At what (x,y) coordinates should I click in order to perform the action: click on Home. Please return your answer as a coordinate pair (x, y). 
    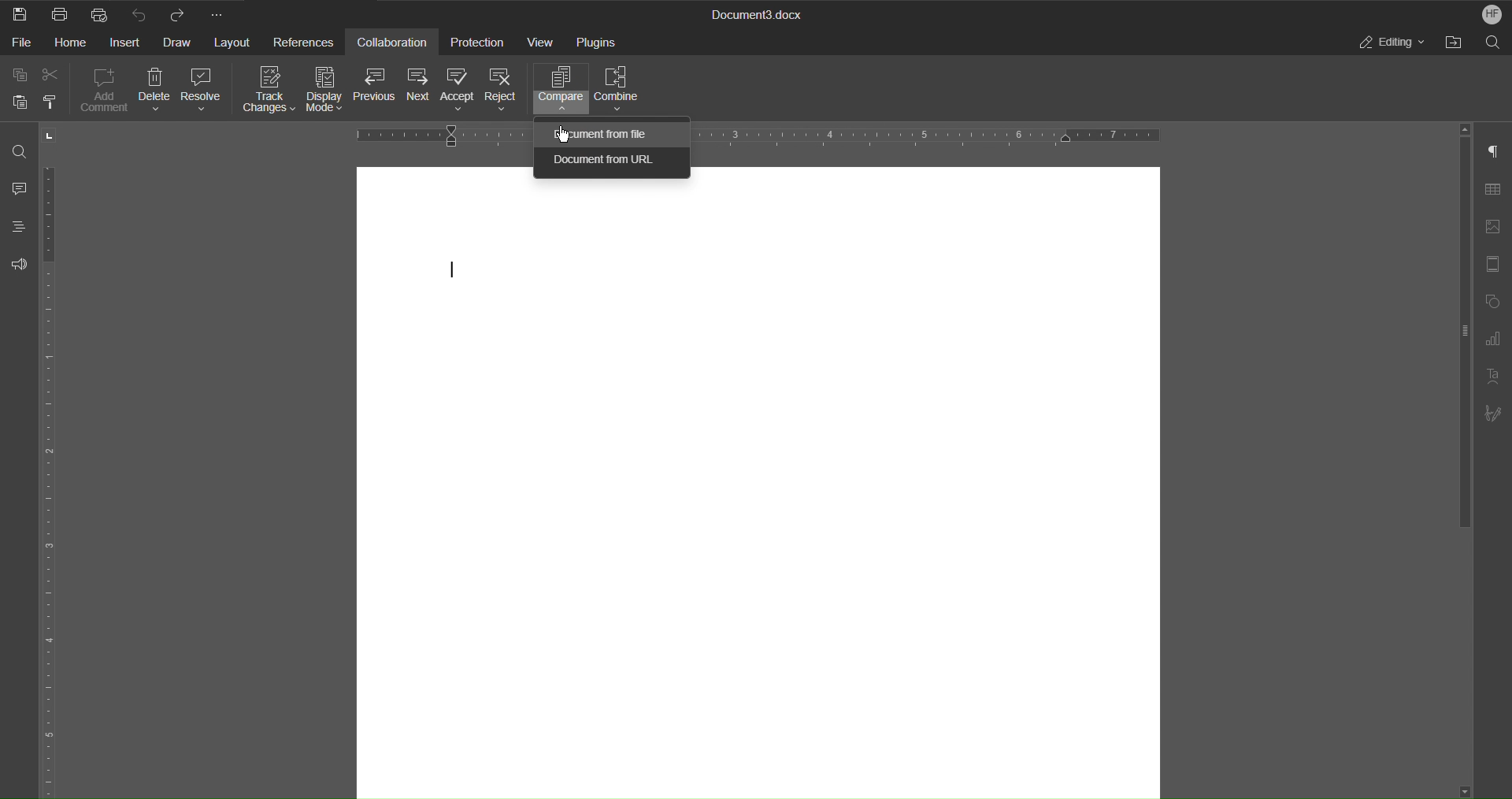
    Looking at the image, I should click on (74, 44).